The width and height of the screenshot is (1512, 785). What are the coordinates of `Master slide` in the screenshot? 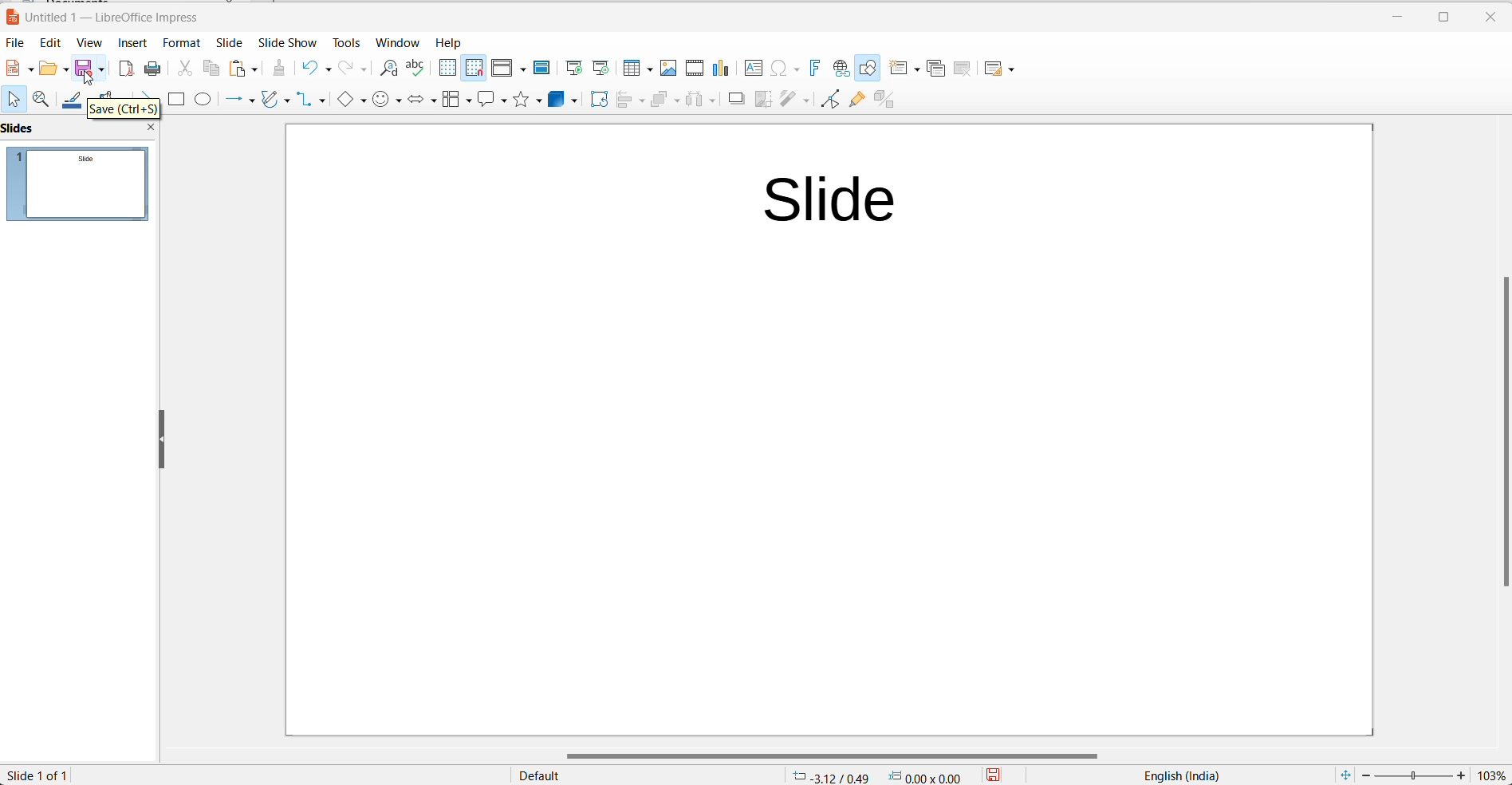 It's located at (541, 69).